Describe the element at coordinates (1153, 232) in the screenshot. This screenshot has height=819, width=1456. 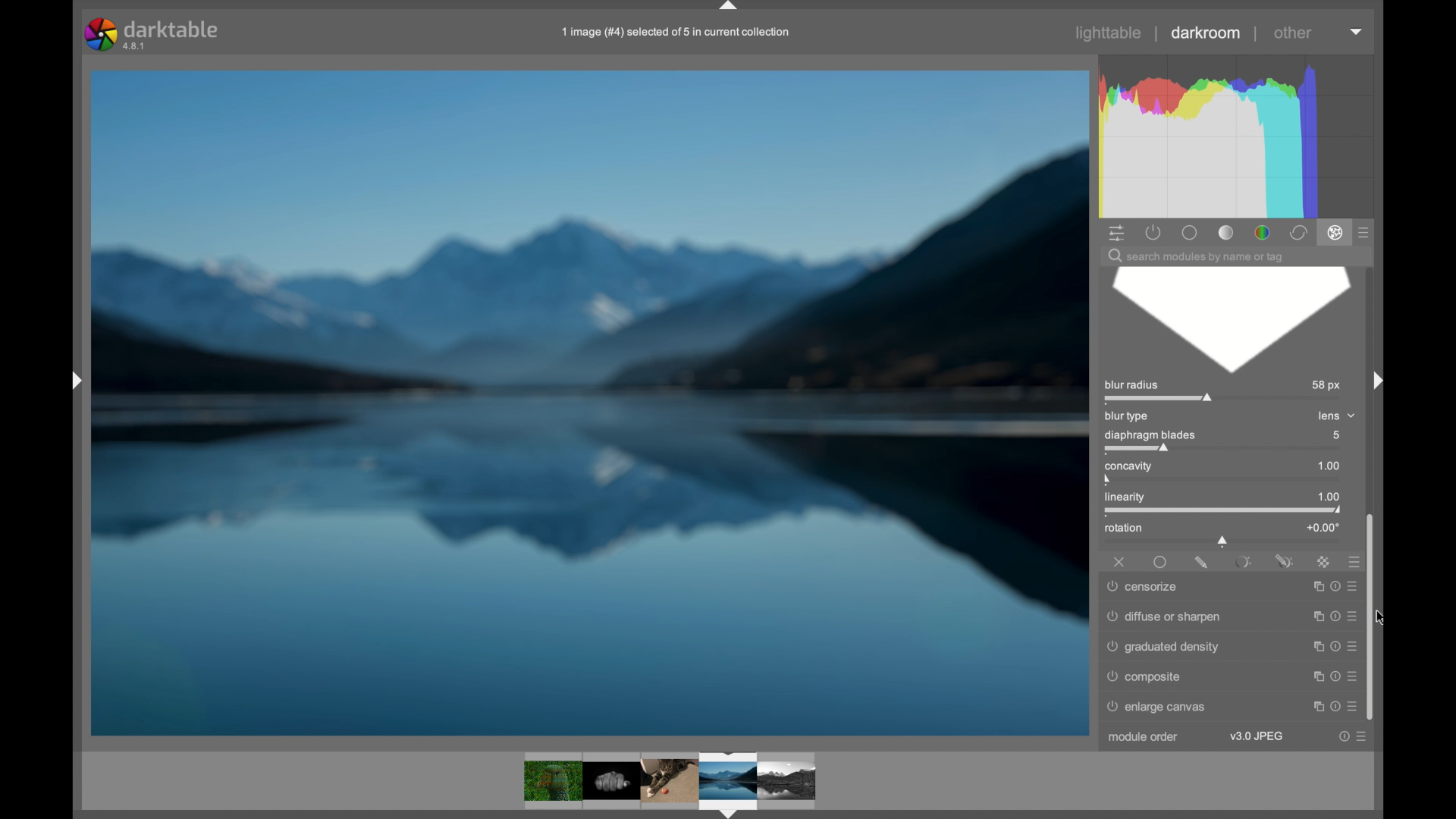
I see `show active modules only` at that location.